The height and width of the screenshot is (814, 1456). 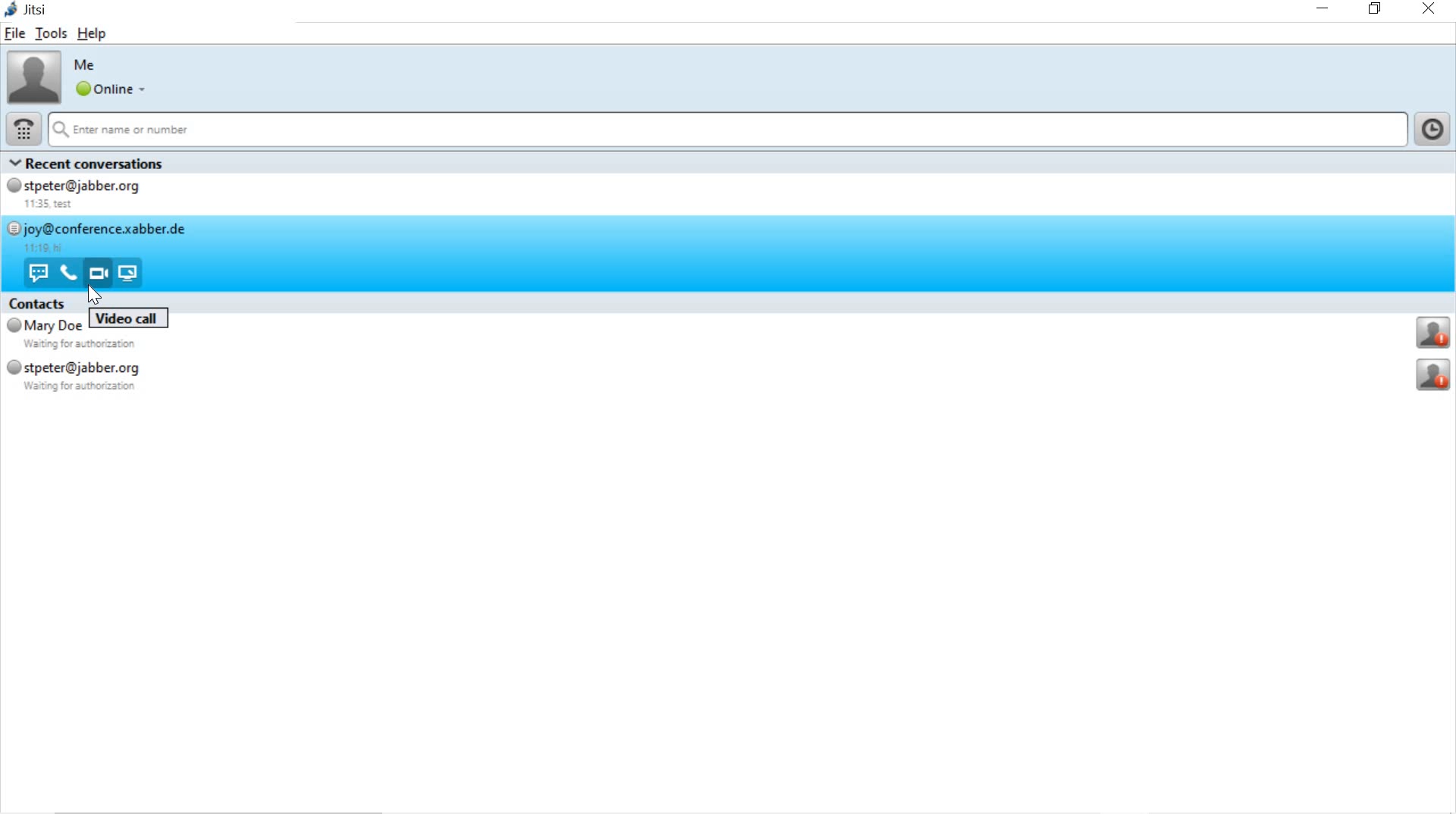 I want to click on online, so click(x=108, y=89).